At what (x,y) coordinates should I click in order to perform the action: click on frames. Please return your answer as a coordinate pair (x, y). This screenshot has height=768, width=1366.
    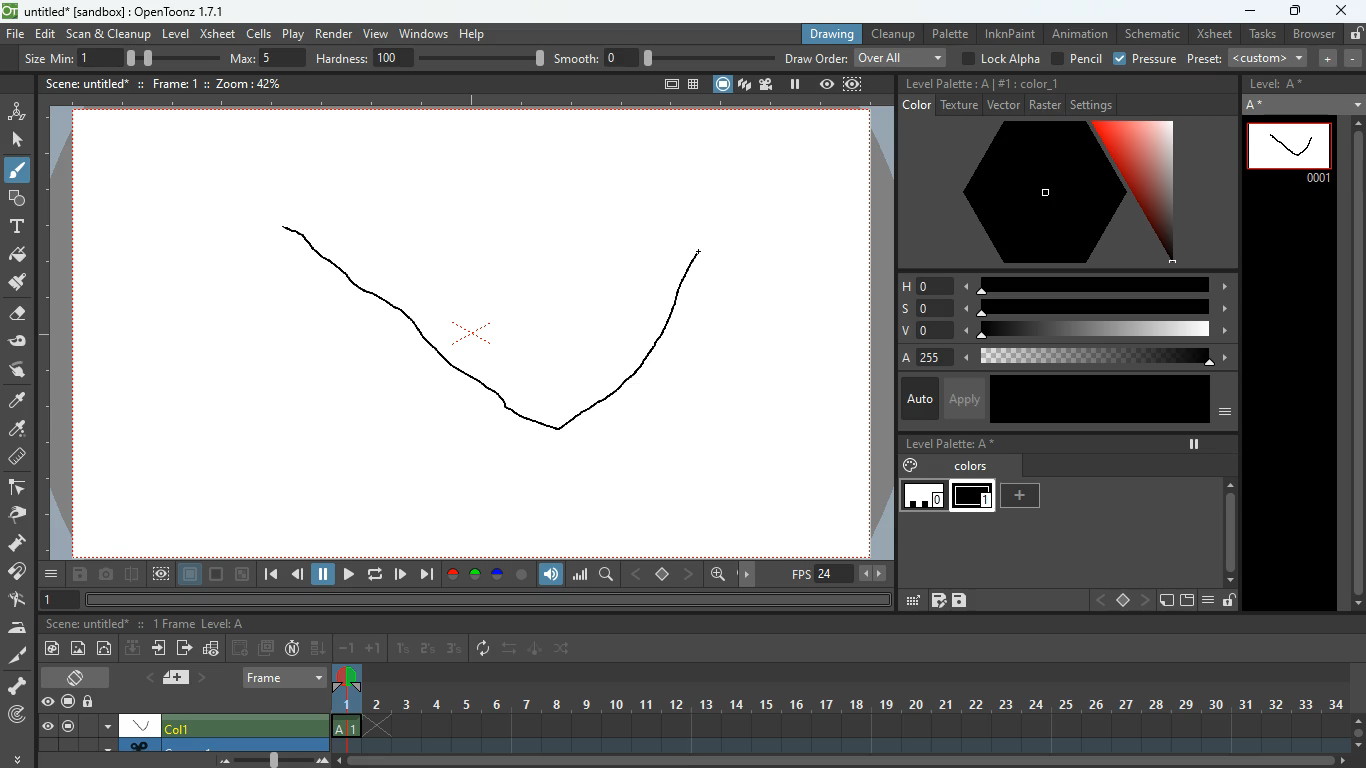
    Looking at the image, I should click on (170, 624).